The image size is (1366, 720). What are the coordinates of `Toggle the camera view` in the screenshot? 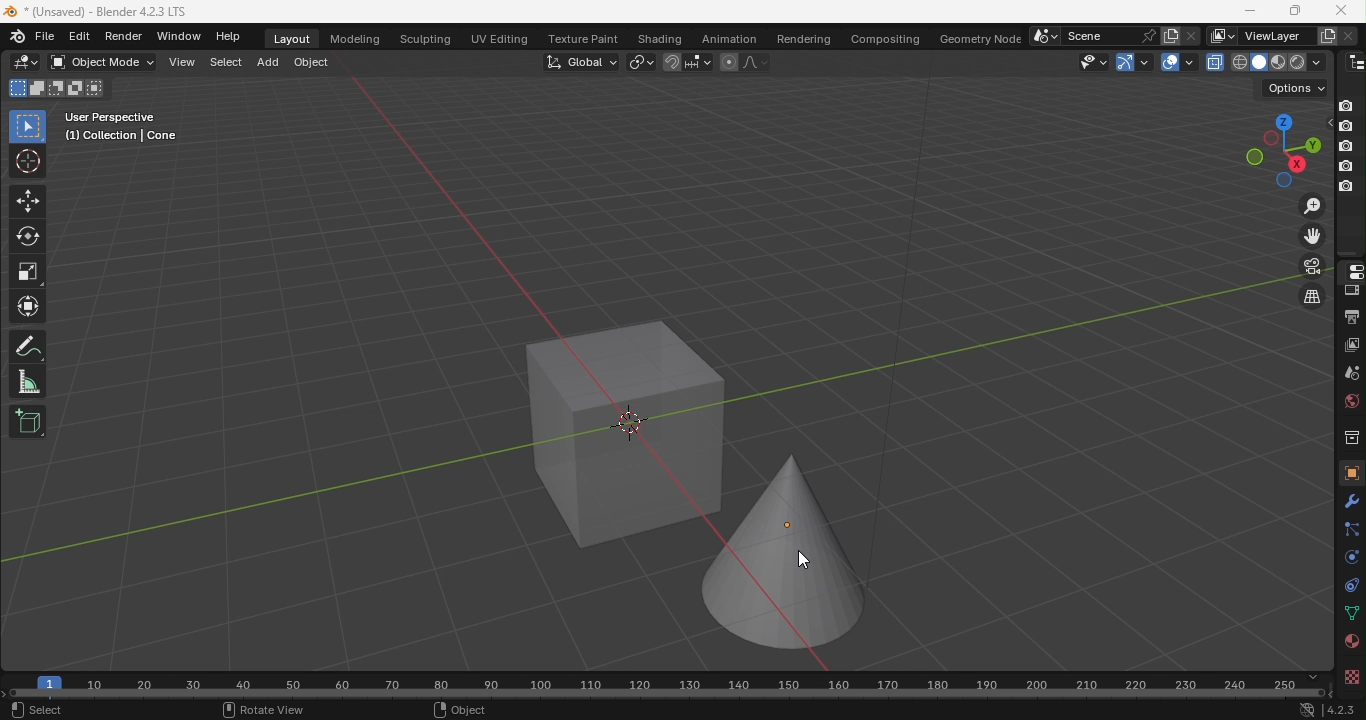 It's located at (1314, 266).